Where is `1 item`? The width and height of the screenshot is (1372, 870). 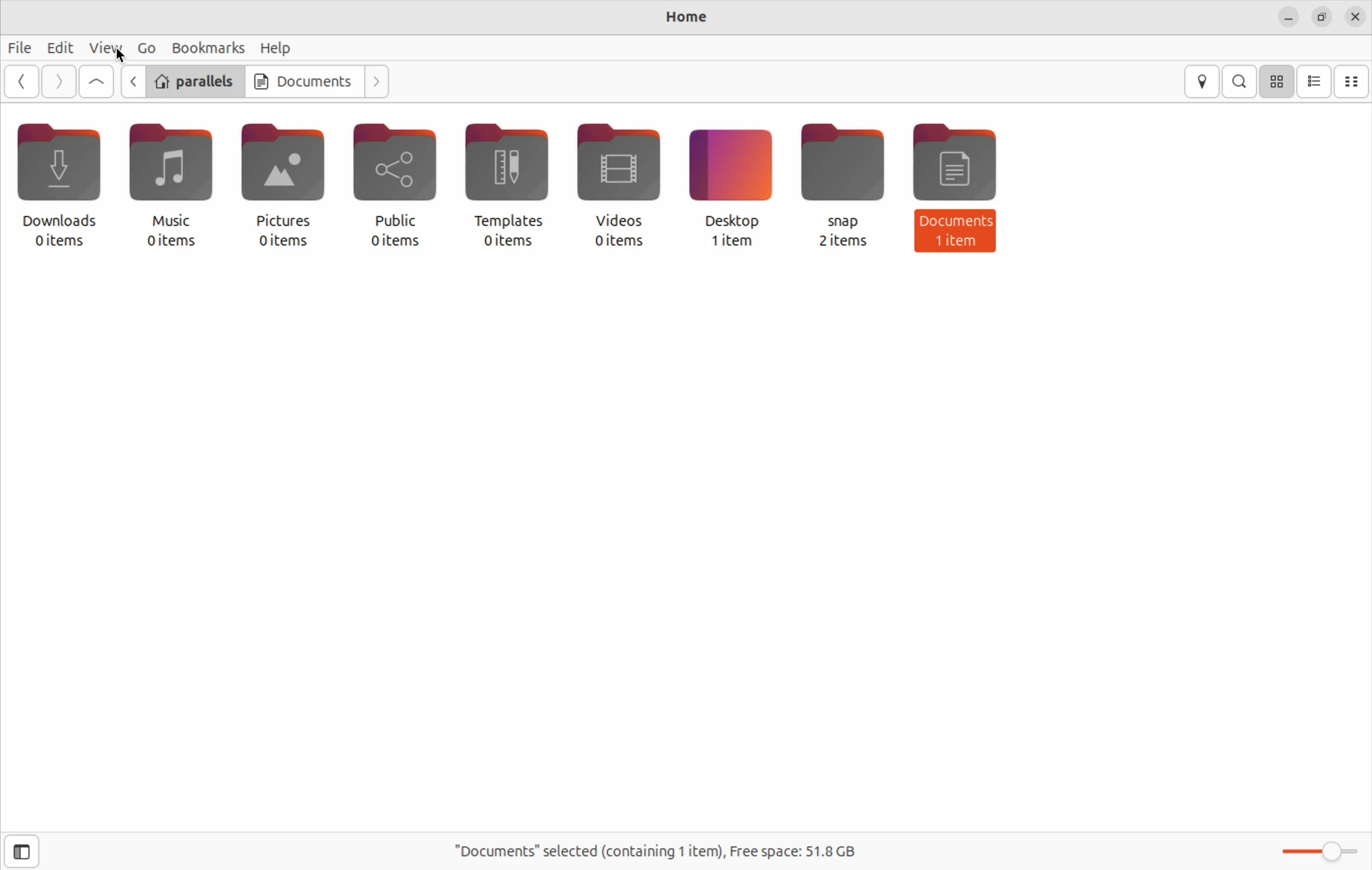 1 item is located at coordinates (958, 245).